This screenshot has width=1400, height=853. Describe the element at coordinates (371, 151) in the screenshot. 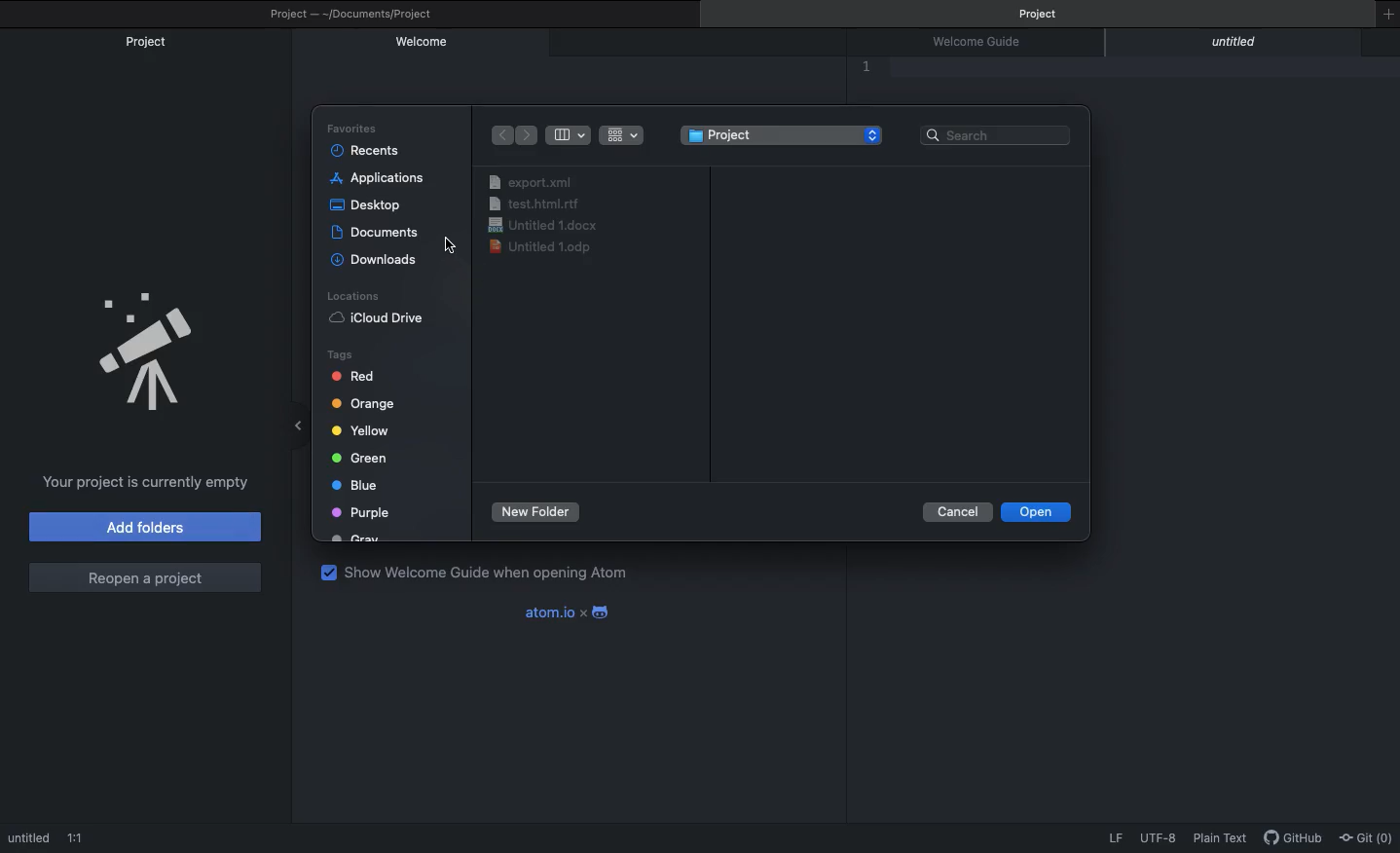

I see `Recents` at that location.